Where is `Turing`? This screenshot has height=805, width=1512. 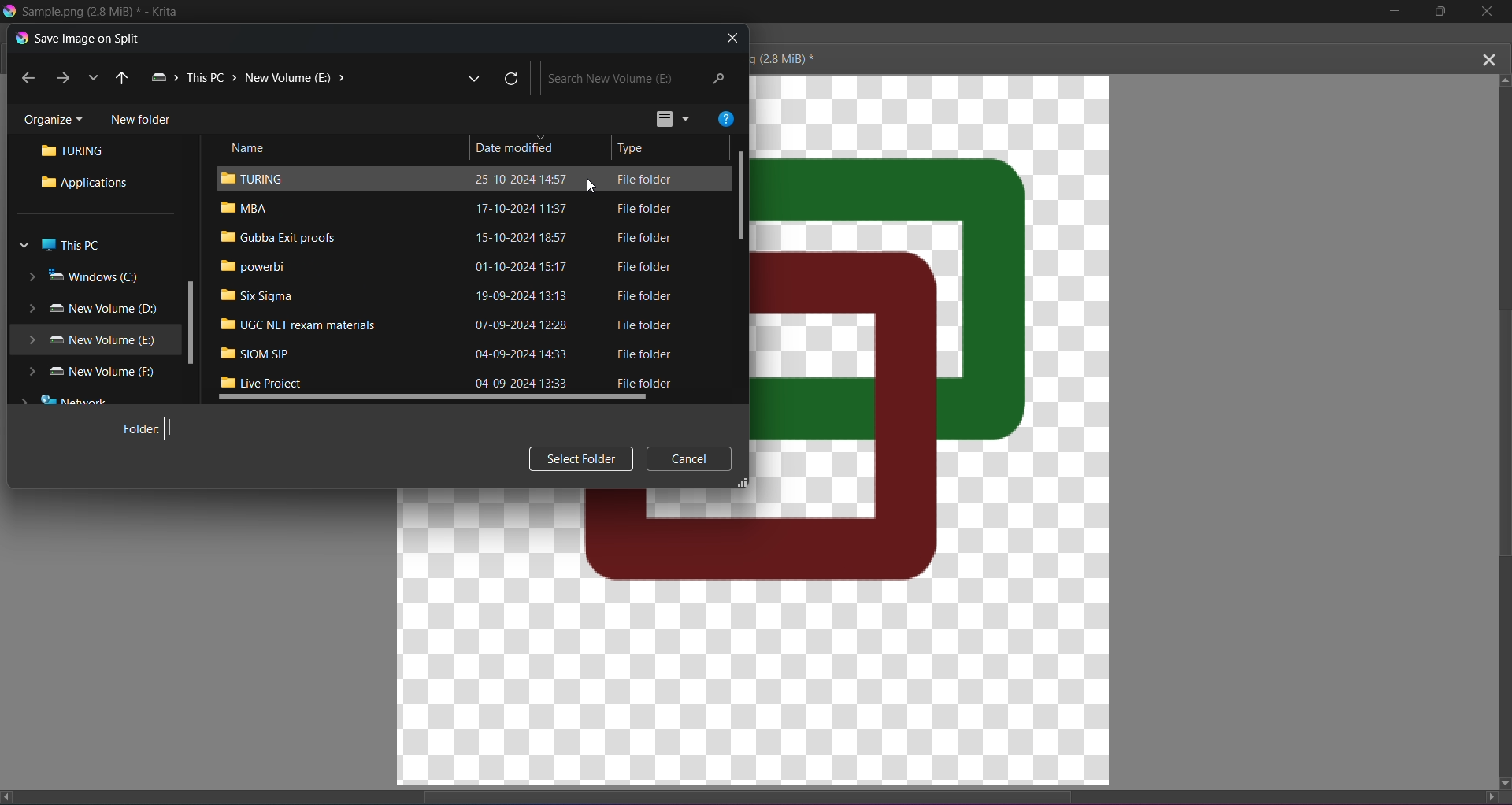 Turing is located at coordinates (79, 154).